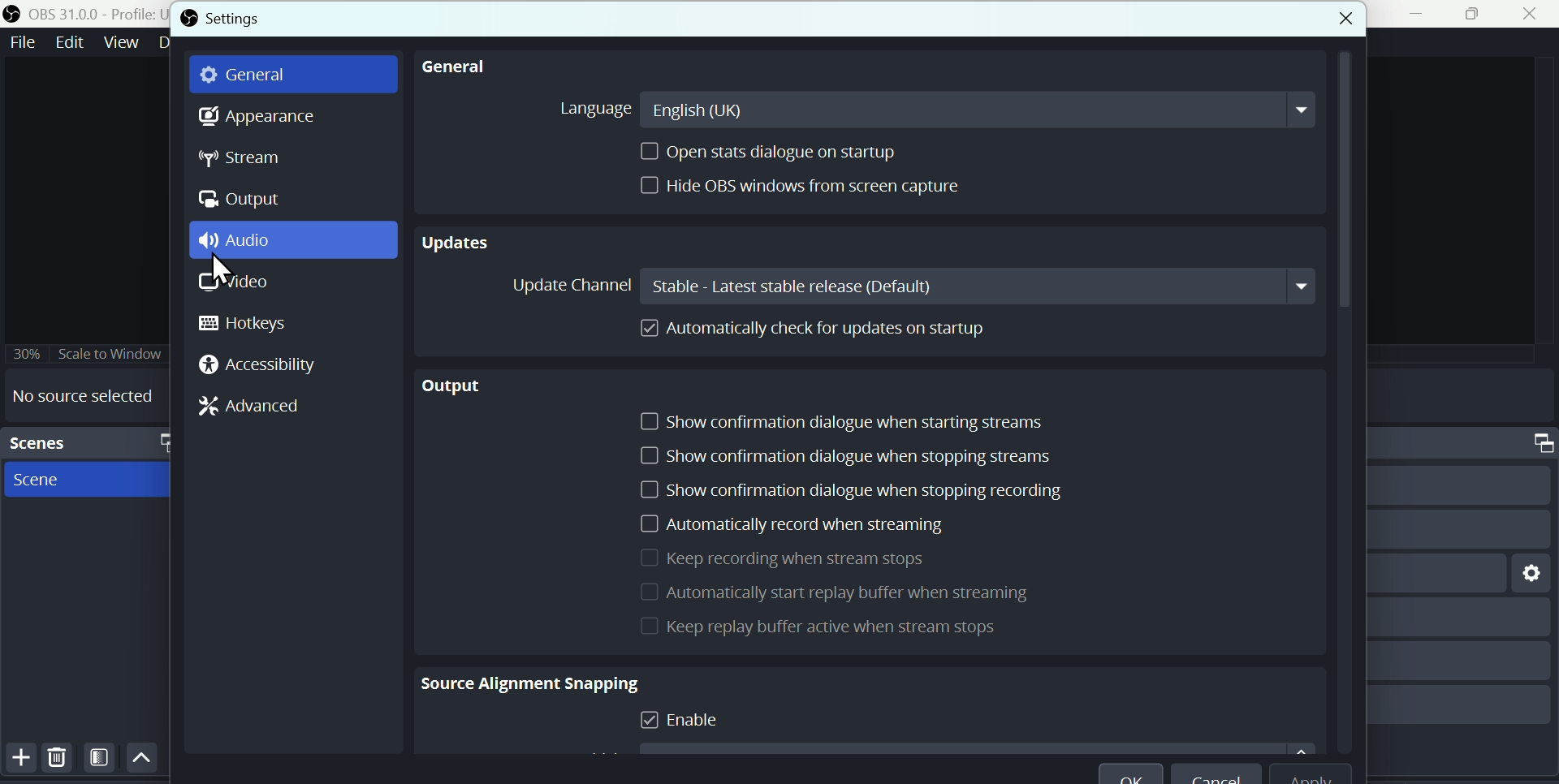 This screenshot has height=784, width=1559. I want to click on Video, so click(230, 285).